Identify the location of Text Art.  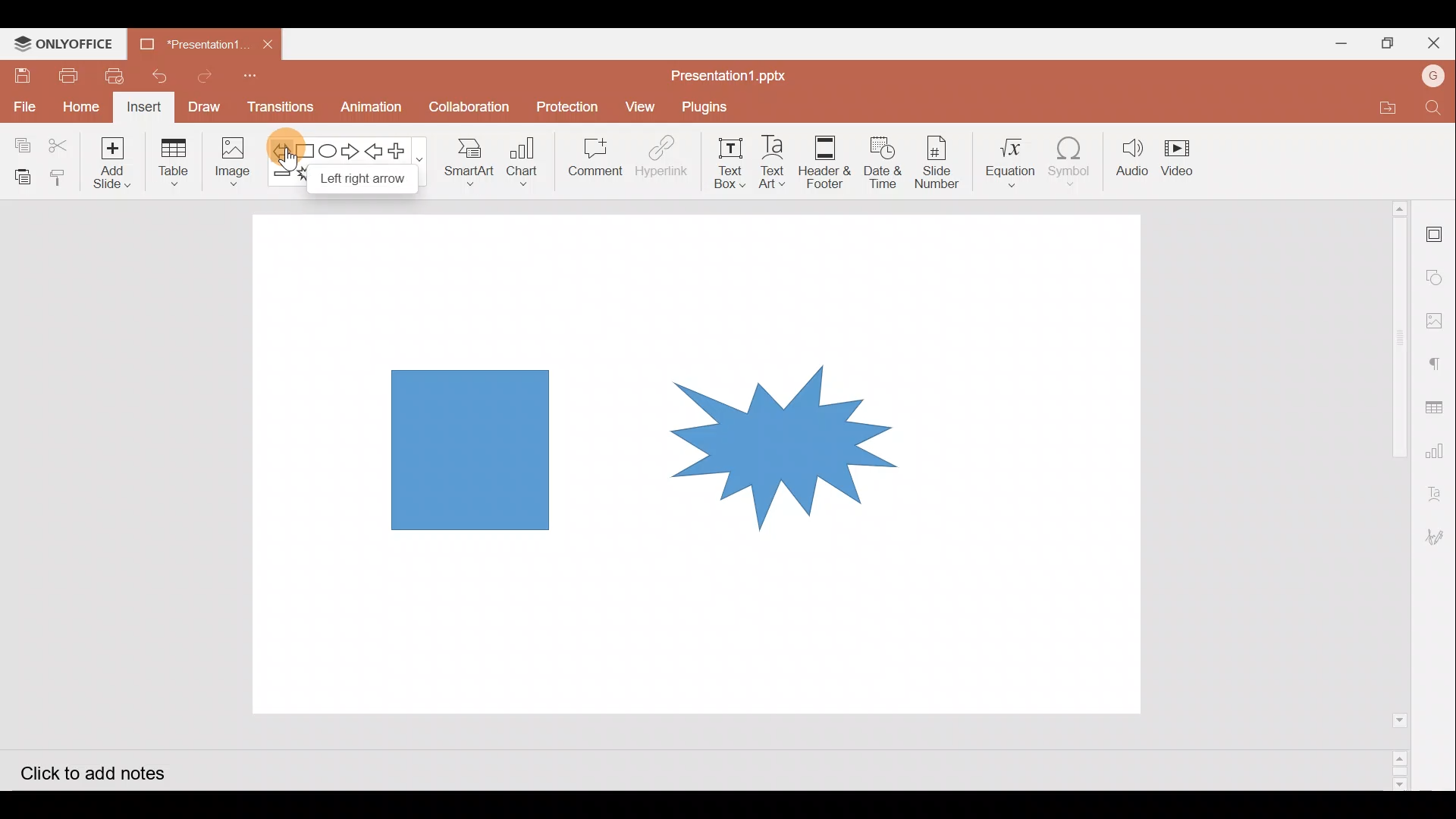
(775, 162).